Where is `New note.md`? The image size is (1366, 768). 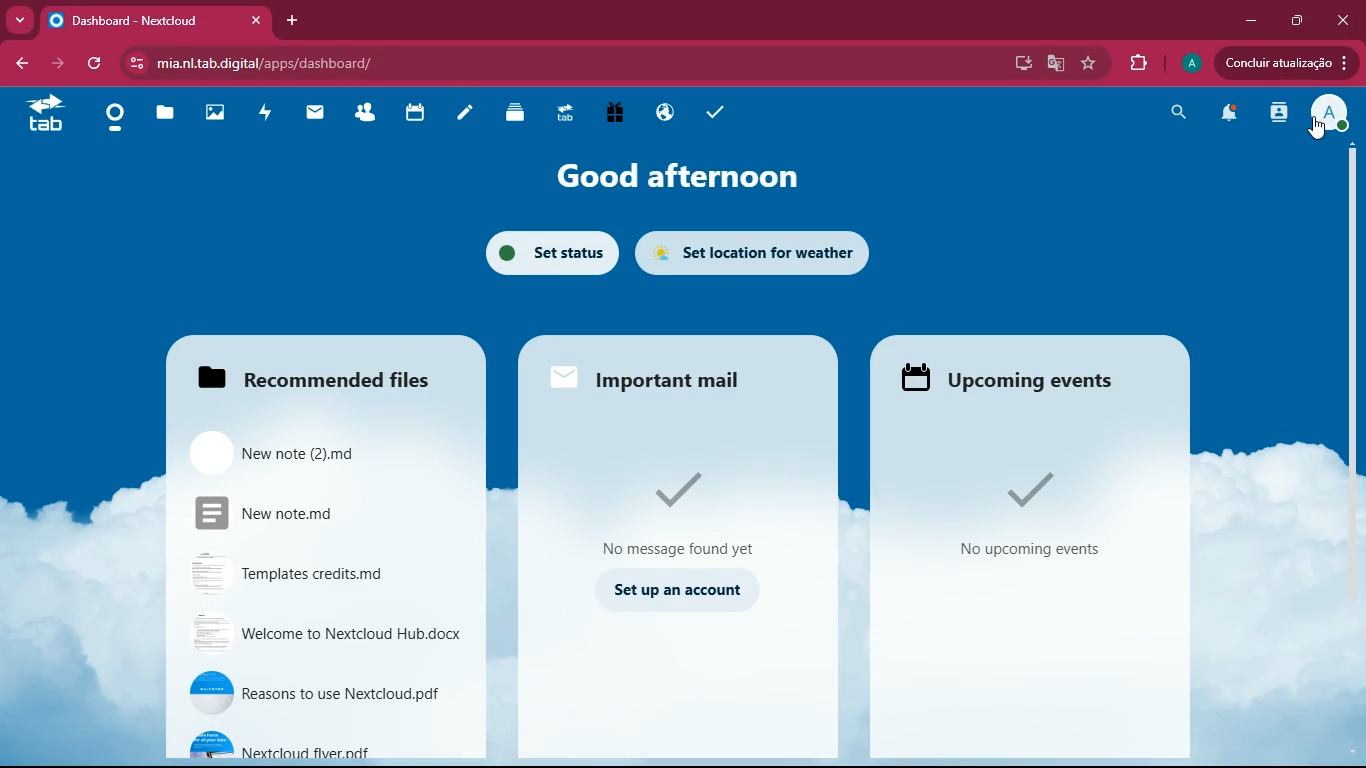
New note.md is located at coordinates (309, 515).